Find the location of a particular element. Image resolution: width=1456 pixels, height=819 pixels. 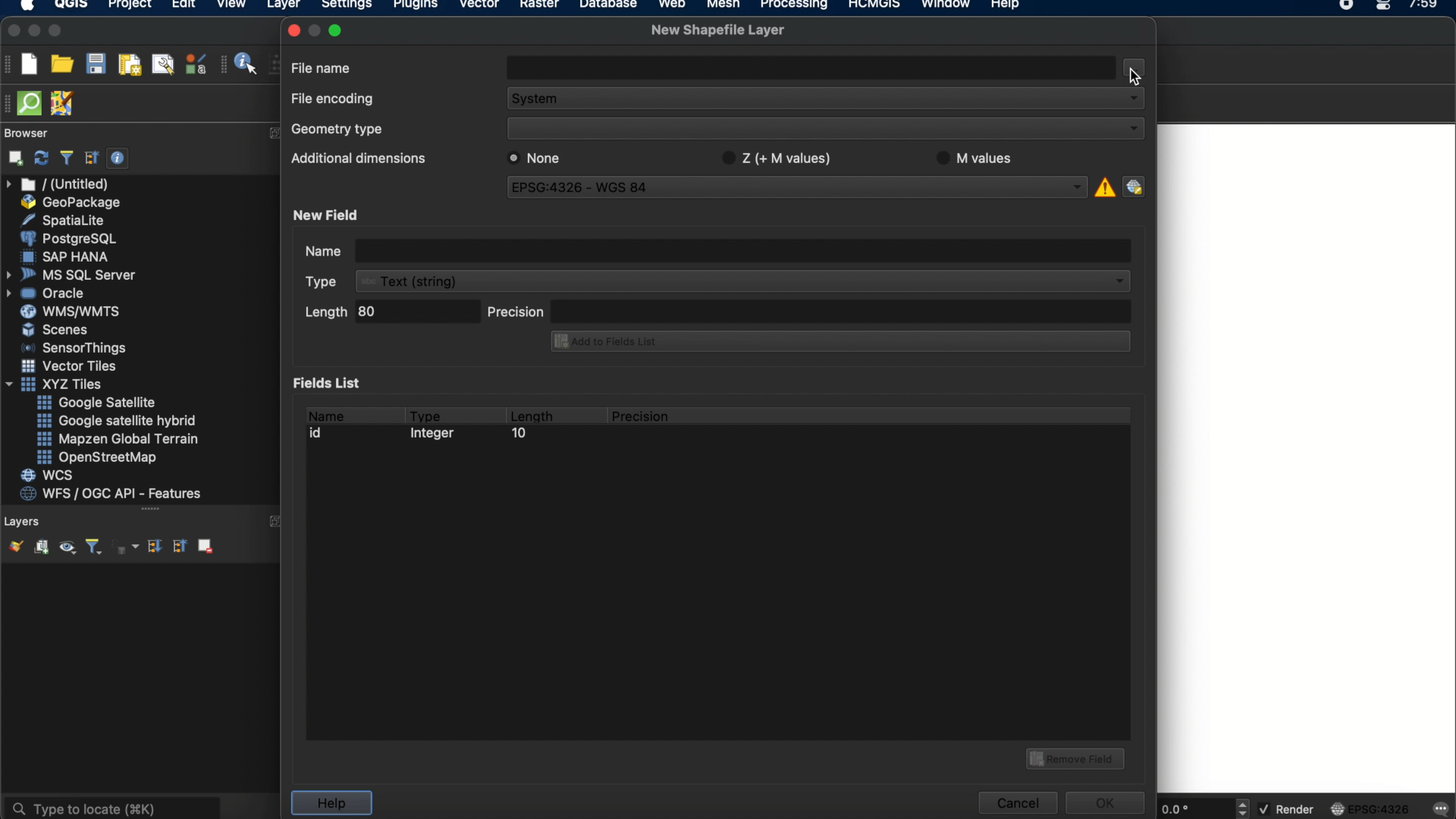

processing is located at coordinates (798, 6).